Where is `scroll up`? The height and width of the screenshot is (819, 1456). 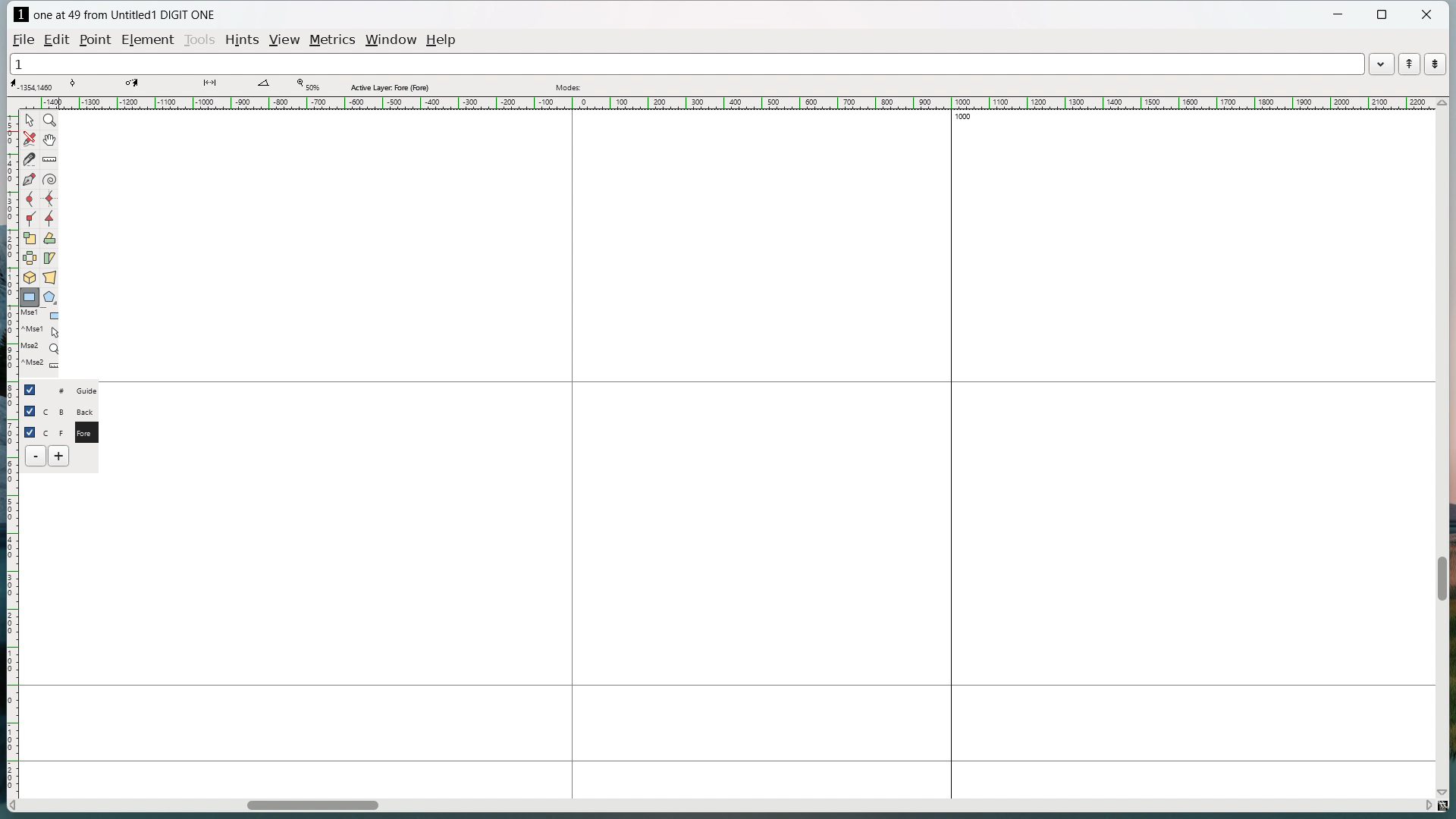 scroll up is located at coordinates (1441, 103).